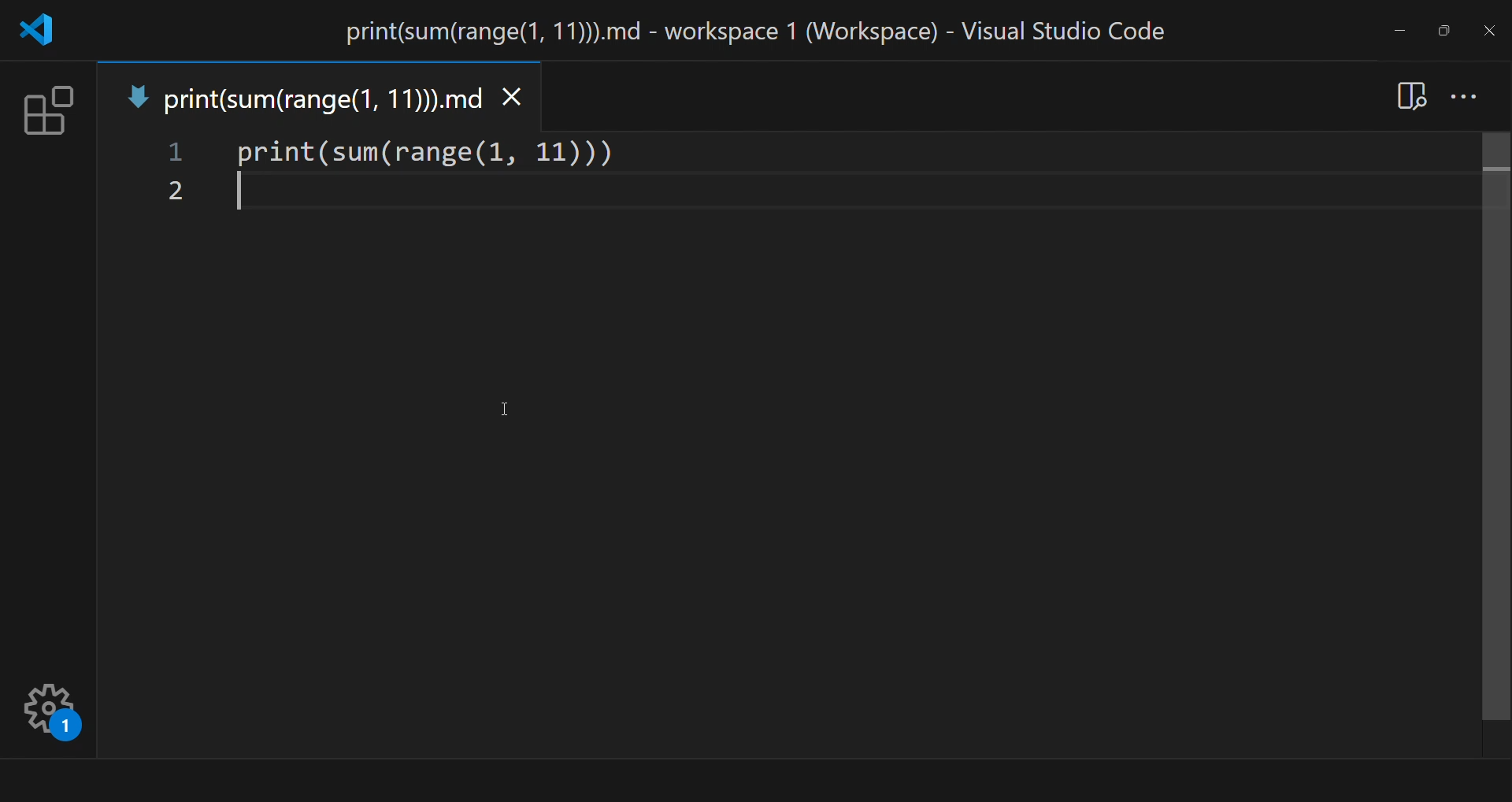  Describe the element at coordinates (177, 169) in the screenshot. I see `line number` at that location.